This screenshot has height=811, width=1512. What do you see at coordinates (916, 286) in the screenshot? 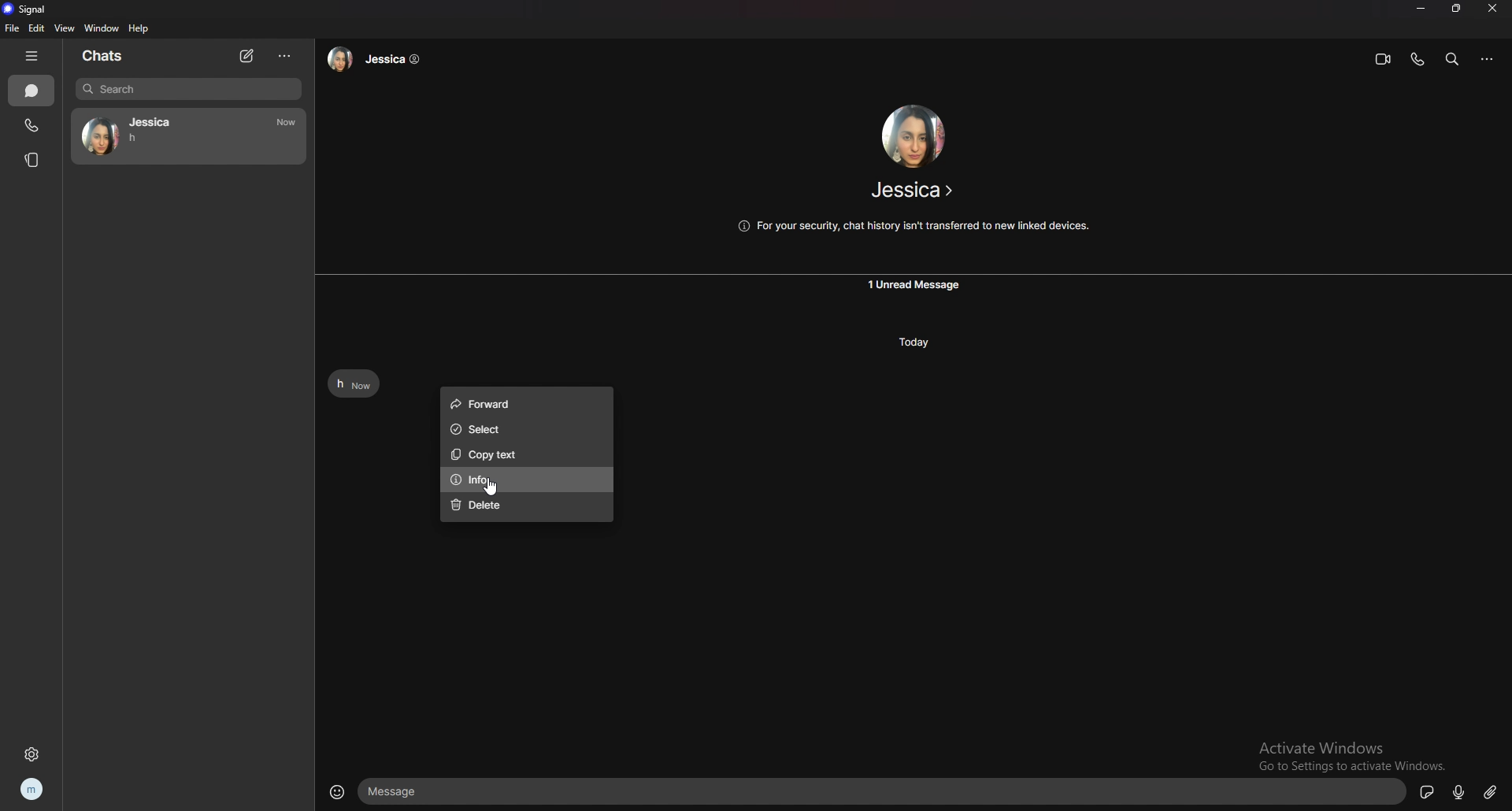
I see `unread message` at bounding box center [916, 286].